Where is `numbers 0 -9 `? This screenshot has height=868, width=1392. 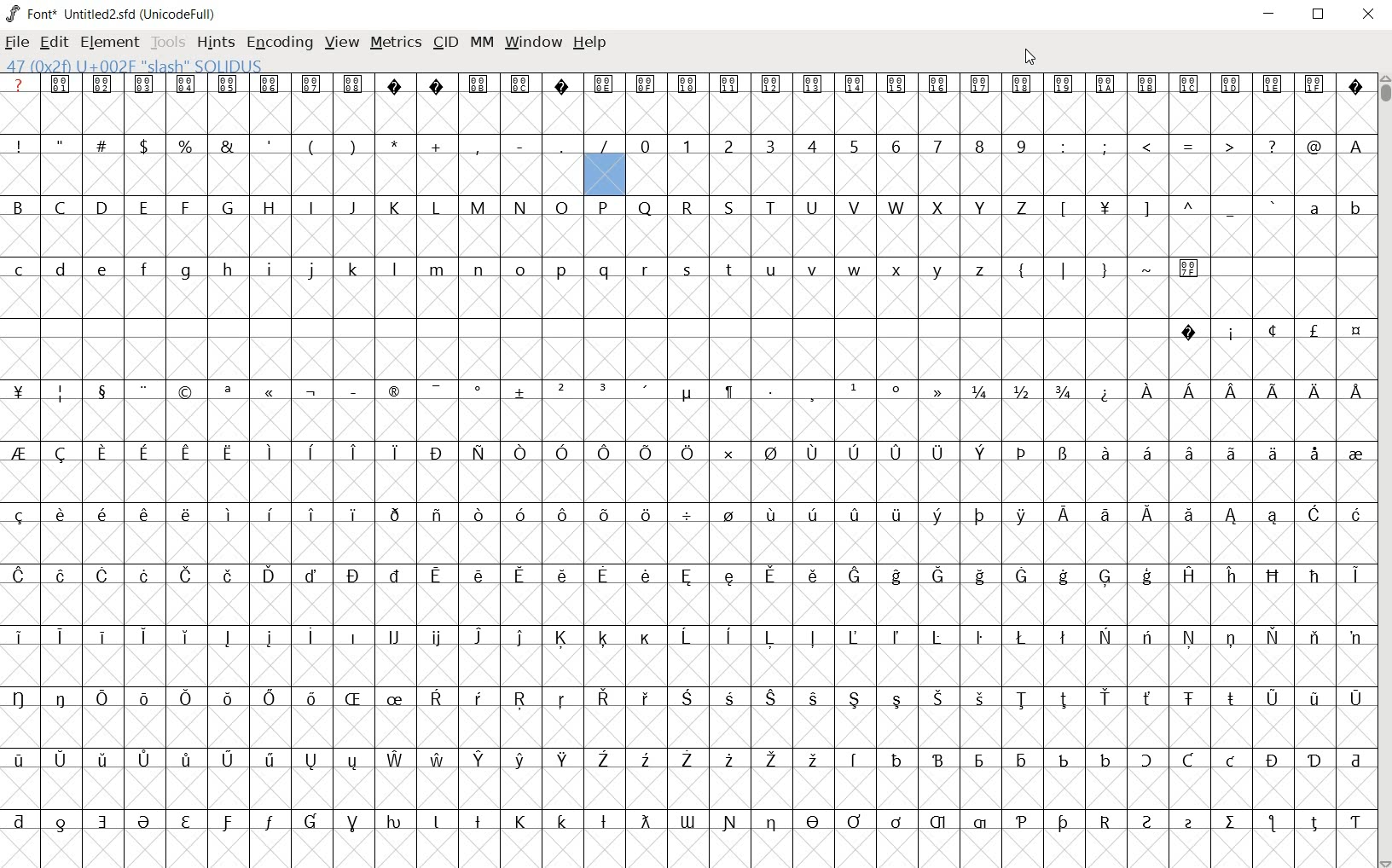
numbers 0 -9  is located at coordinates (837, 144).